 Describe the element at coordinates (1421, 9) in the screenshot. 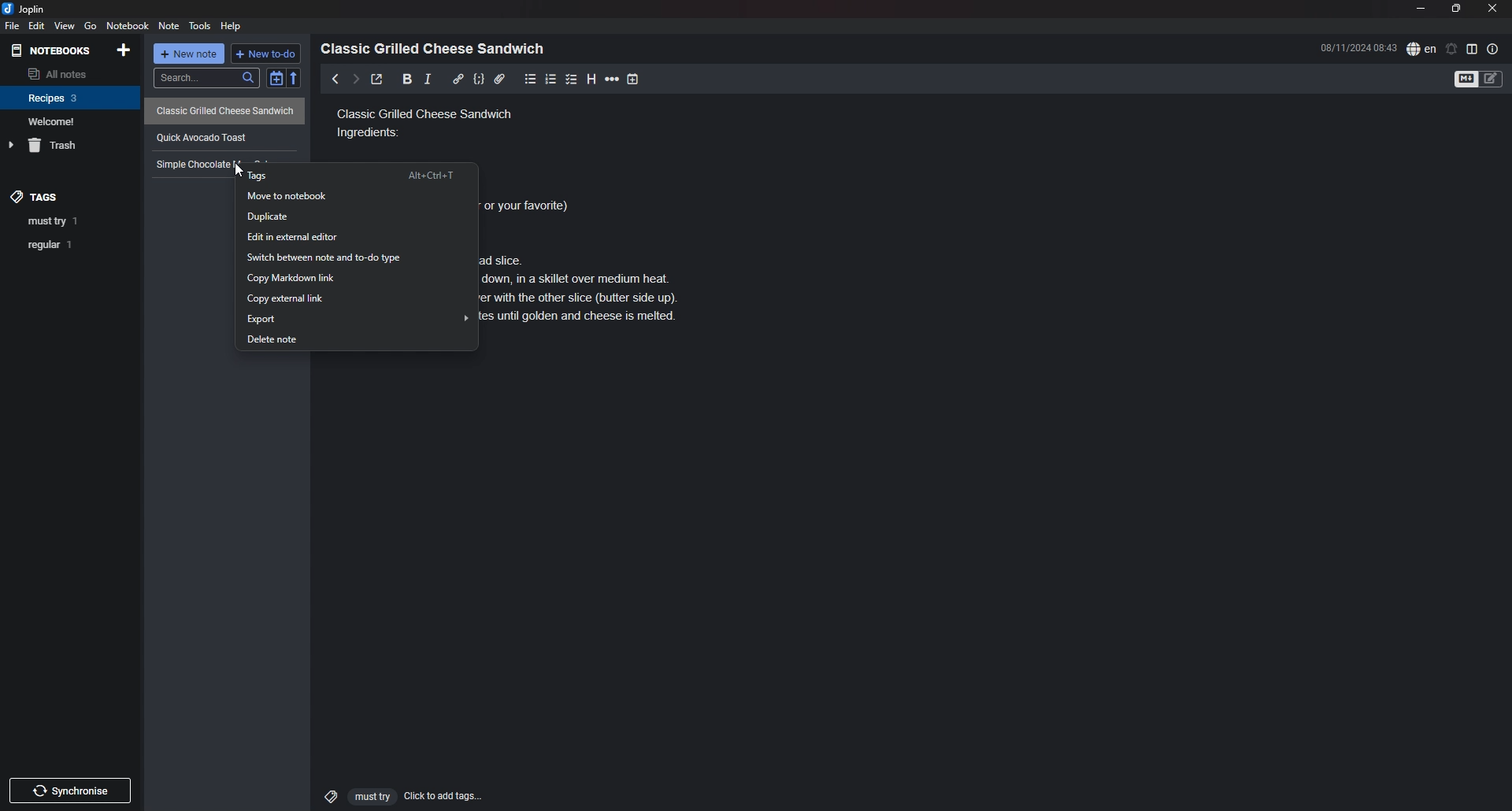

I see `minimize` at that location.